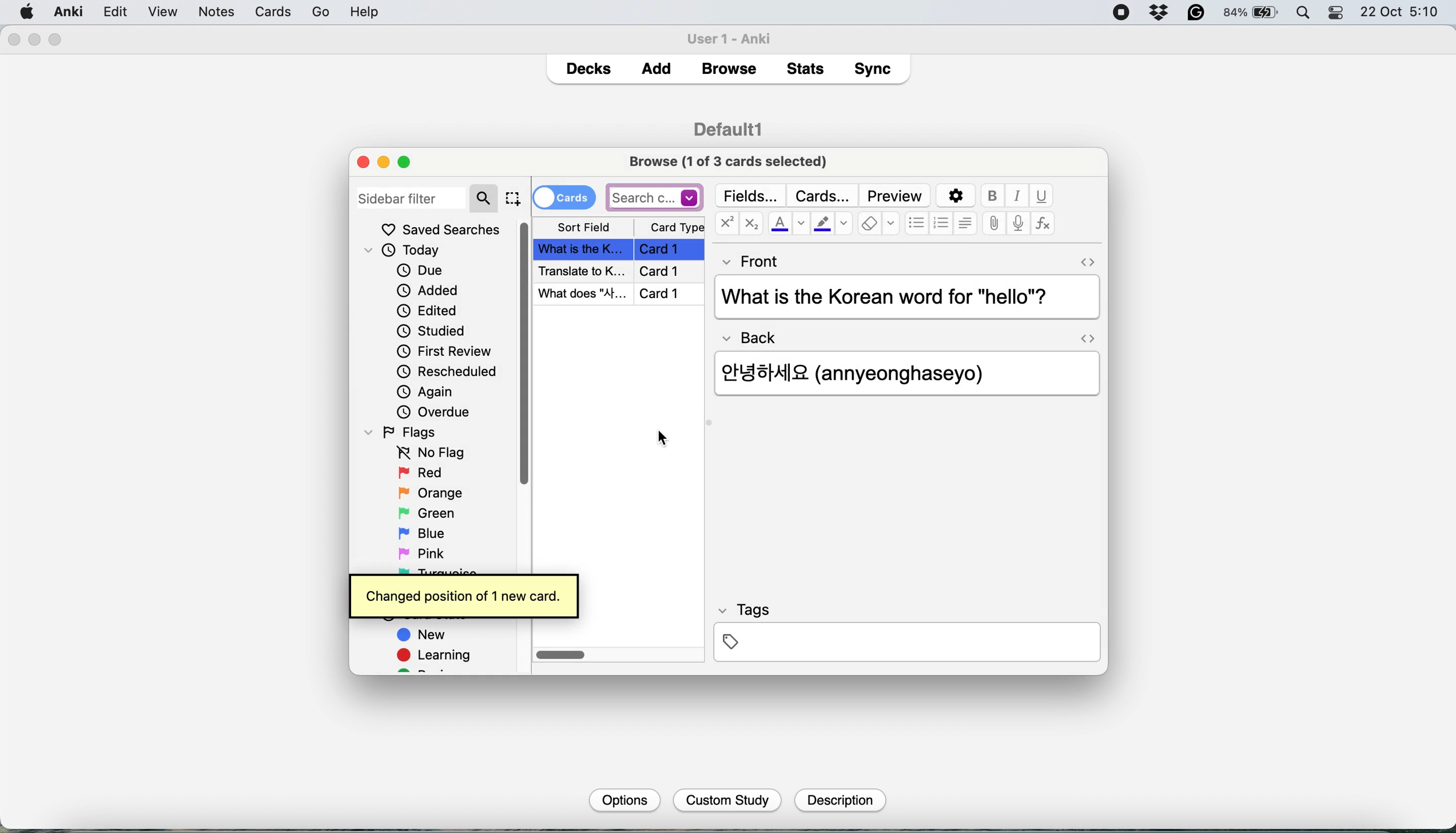  What do you see at coordinates (895, 196) in the screenshot?
I see `preview` at bounding box center [895, 196].